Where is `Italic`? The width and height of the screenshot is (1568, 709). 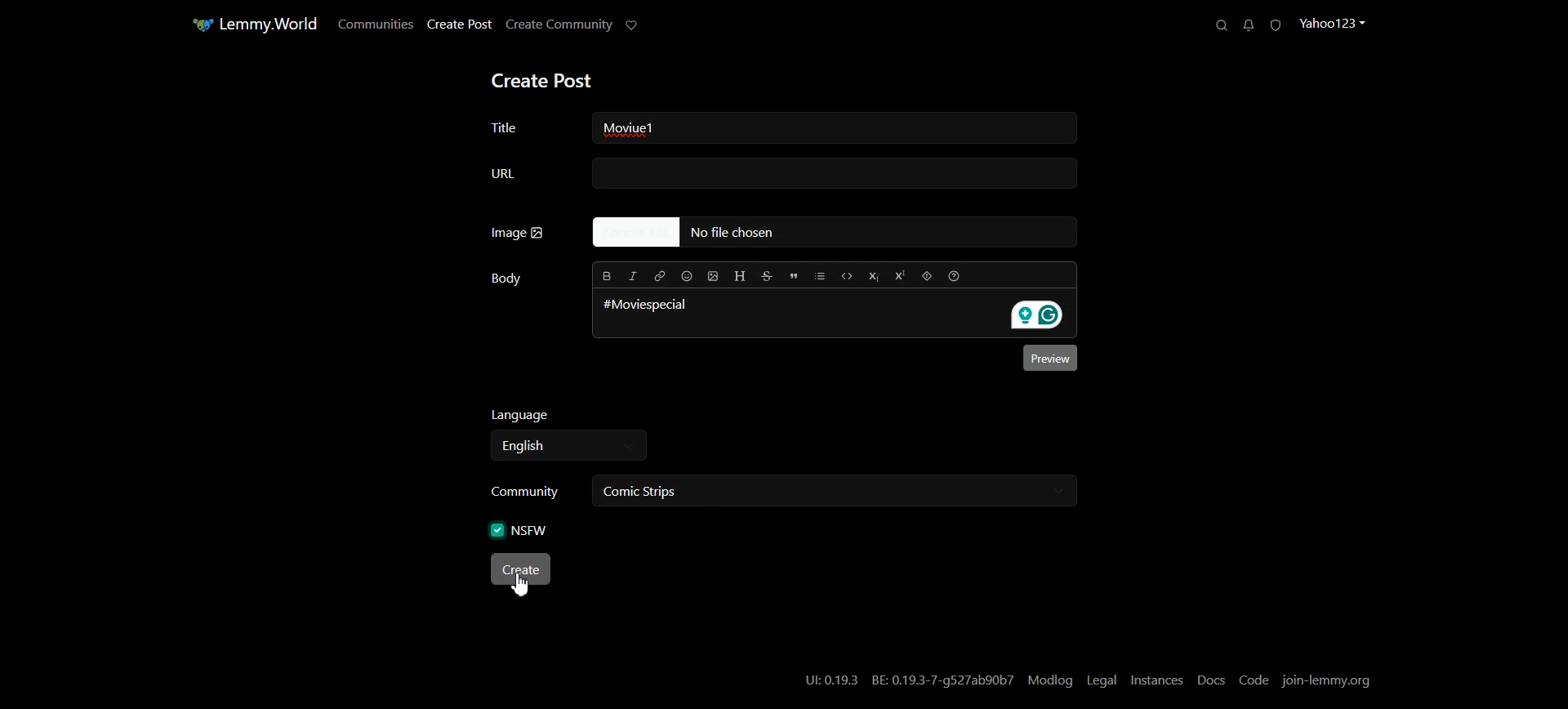 Italic is located at coordinates (635, 278).